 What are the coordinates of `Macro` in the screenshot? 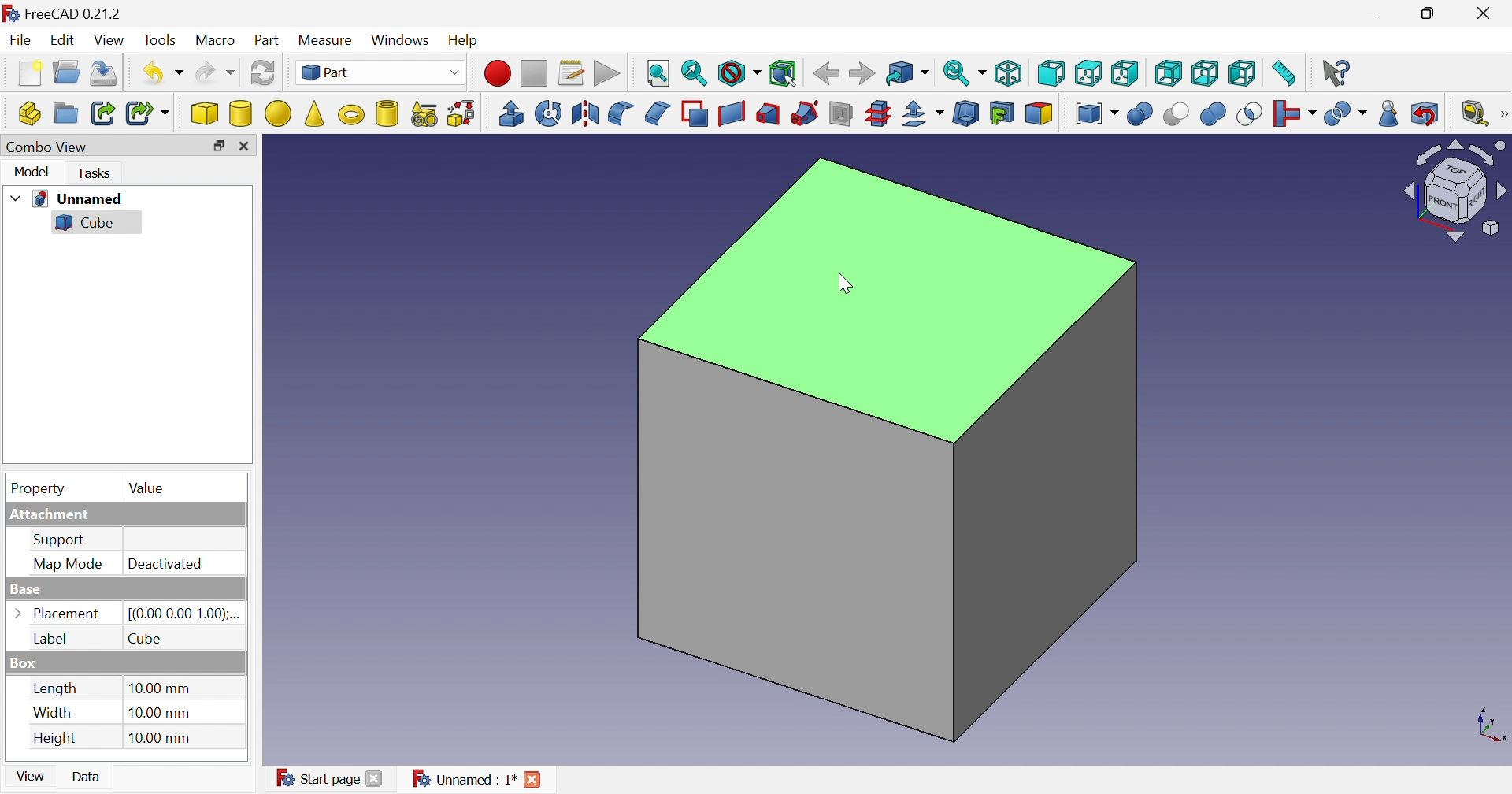 It's located at (216, 40).